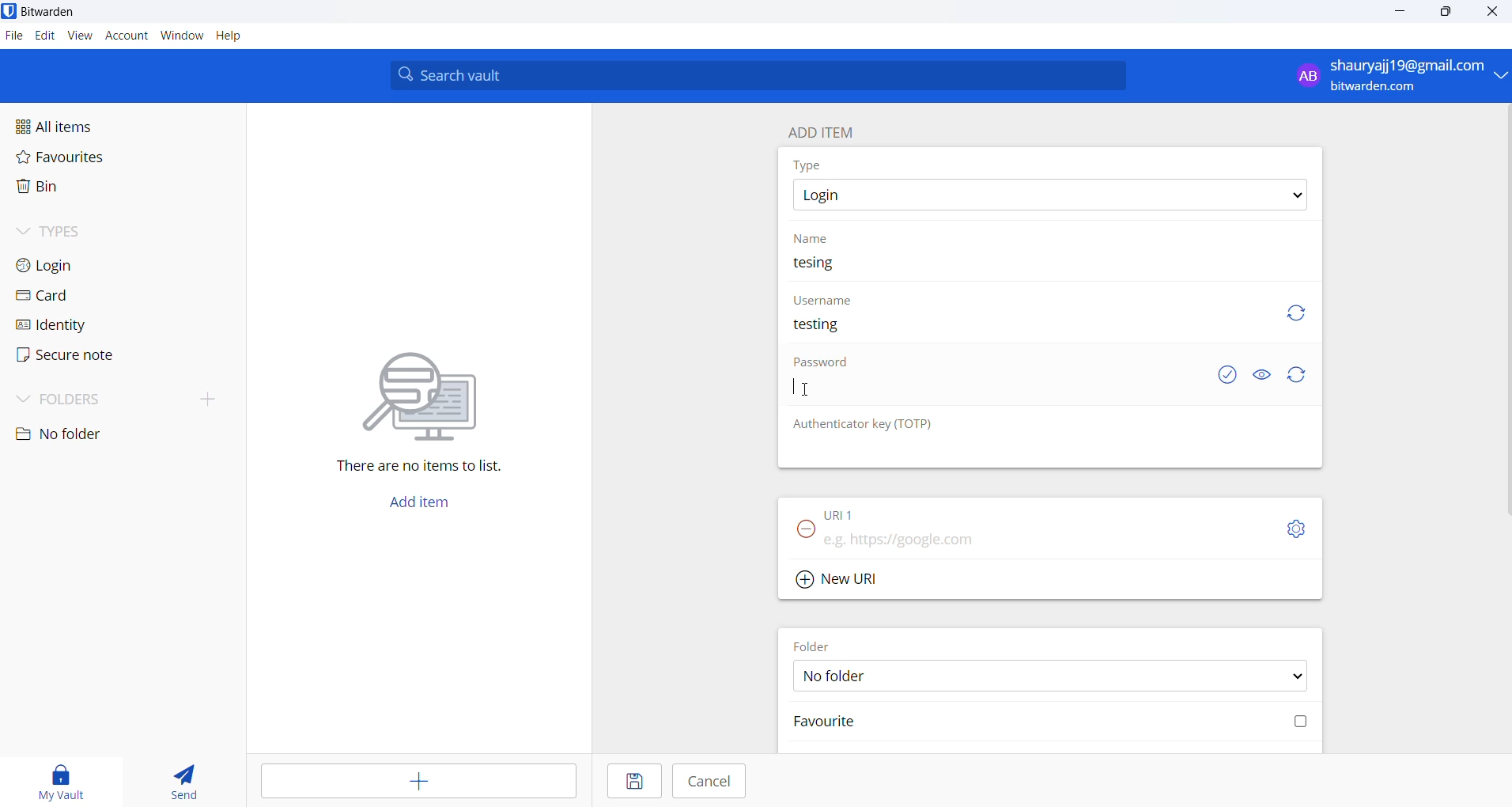 The height and width of the screenshot is (807, 1512). Describe the element at coordinates (709, 781) in the screenshot. I see `cancel` at that location.